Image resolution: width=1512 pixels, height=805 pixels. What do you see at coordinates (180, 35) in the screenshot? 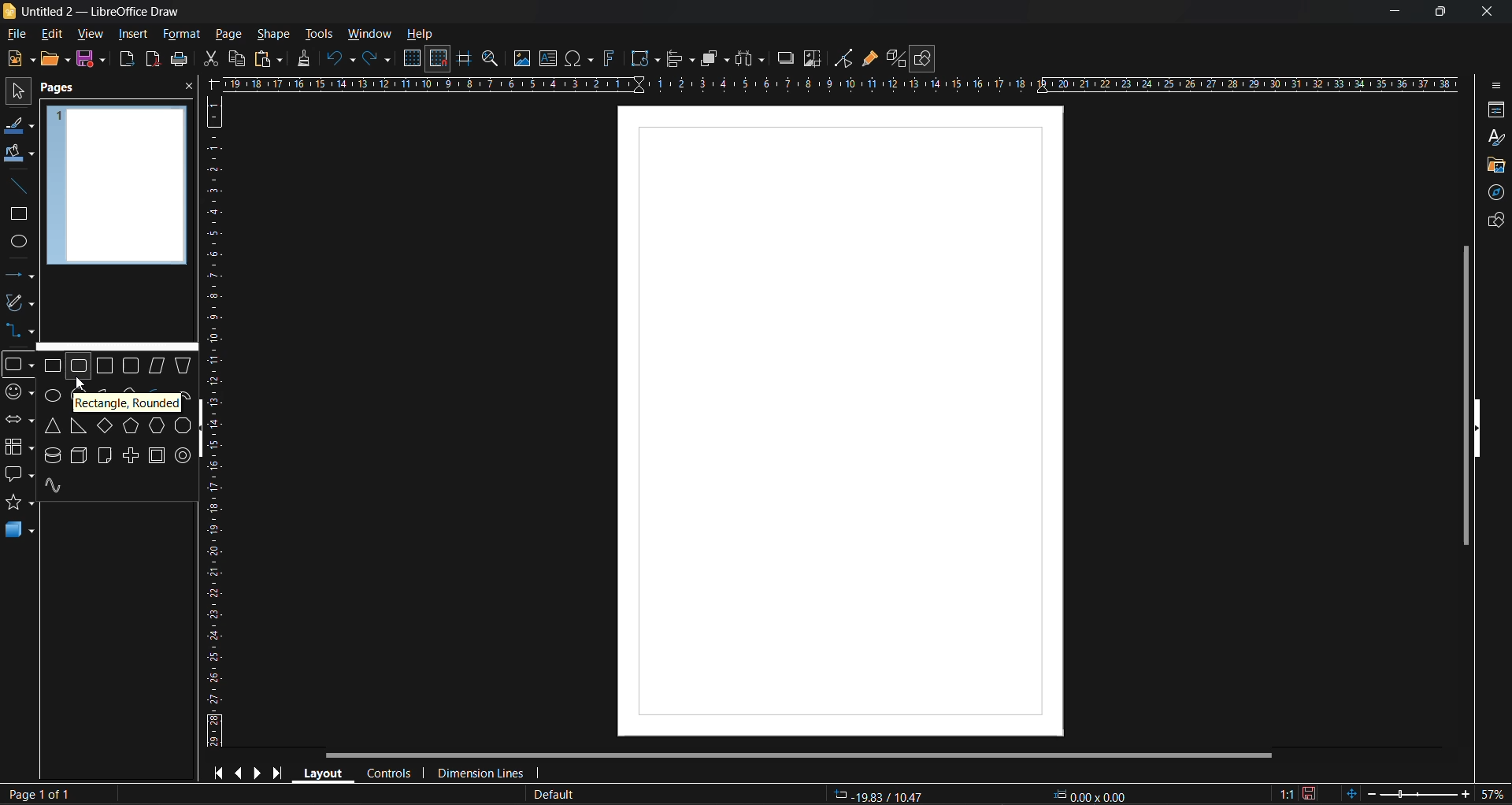
I see `format` at bounding box center [180, 35].